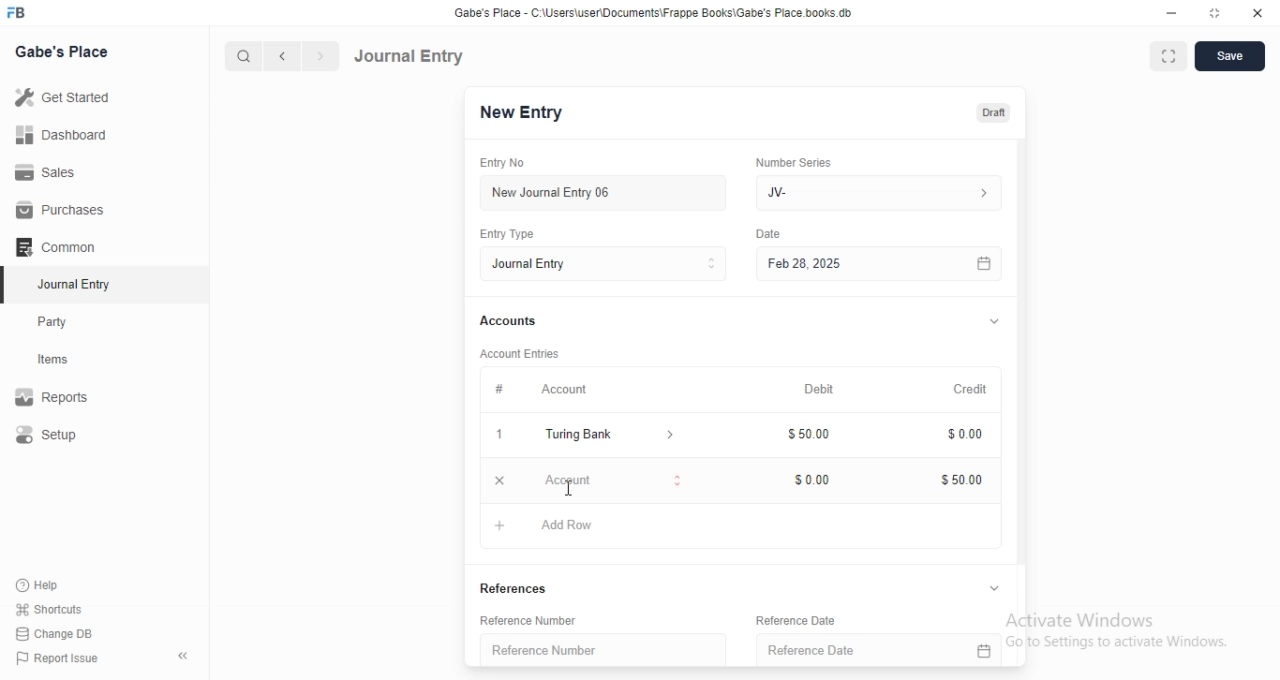  What do you see at coordinates (815, 479) in the screenshot?
I see `$000` at bounding box center [815, 479].